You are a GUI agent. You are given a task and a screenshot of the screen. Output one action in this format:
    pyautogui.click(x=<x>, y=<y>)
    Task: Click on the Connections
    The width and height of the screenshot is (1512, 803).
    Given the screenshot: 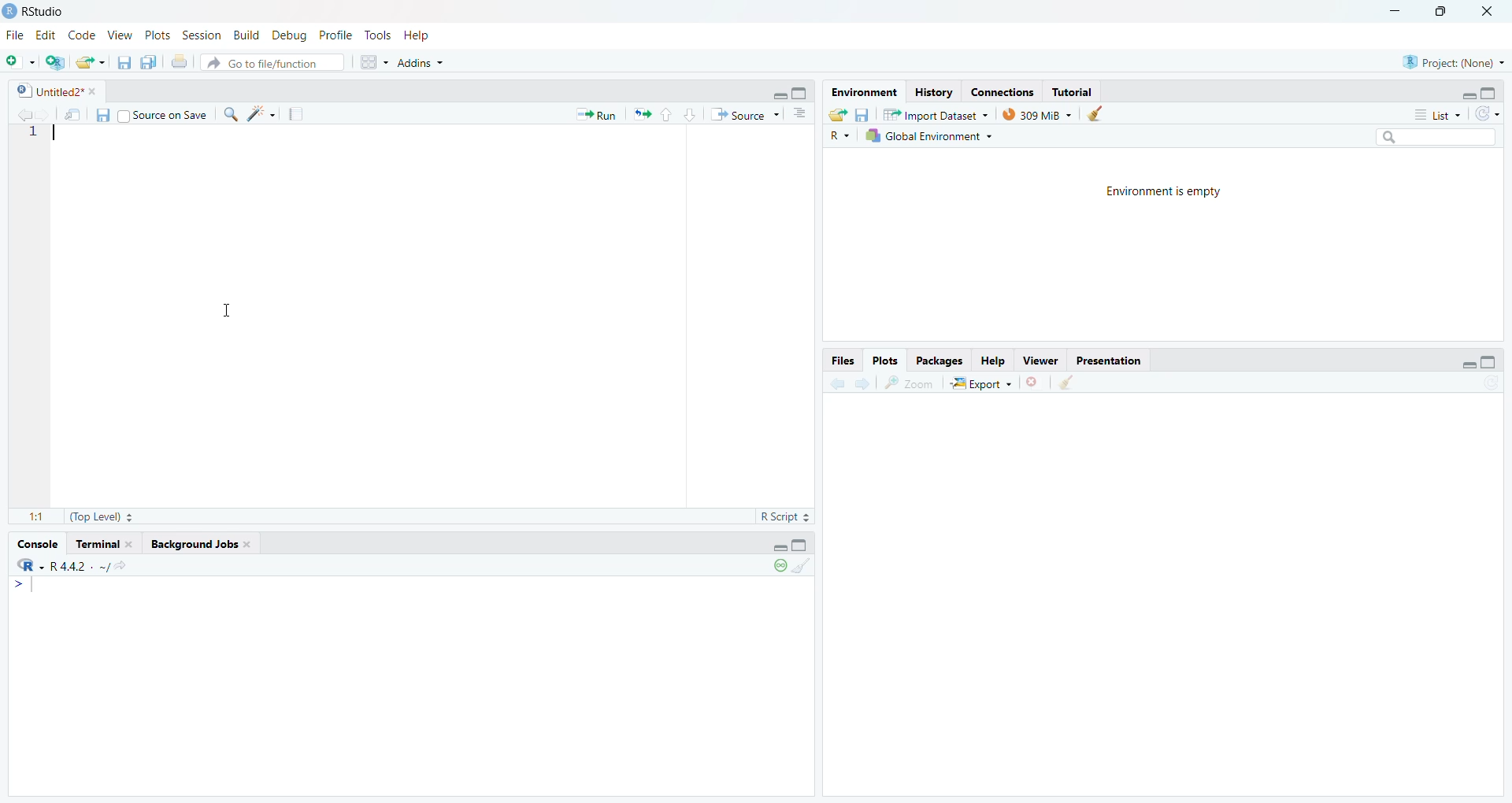 What is the action you would take?
    pyautogui.click(x=1004, y=91)
    